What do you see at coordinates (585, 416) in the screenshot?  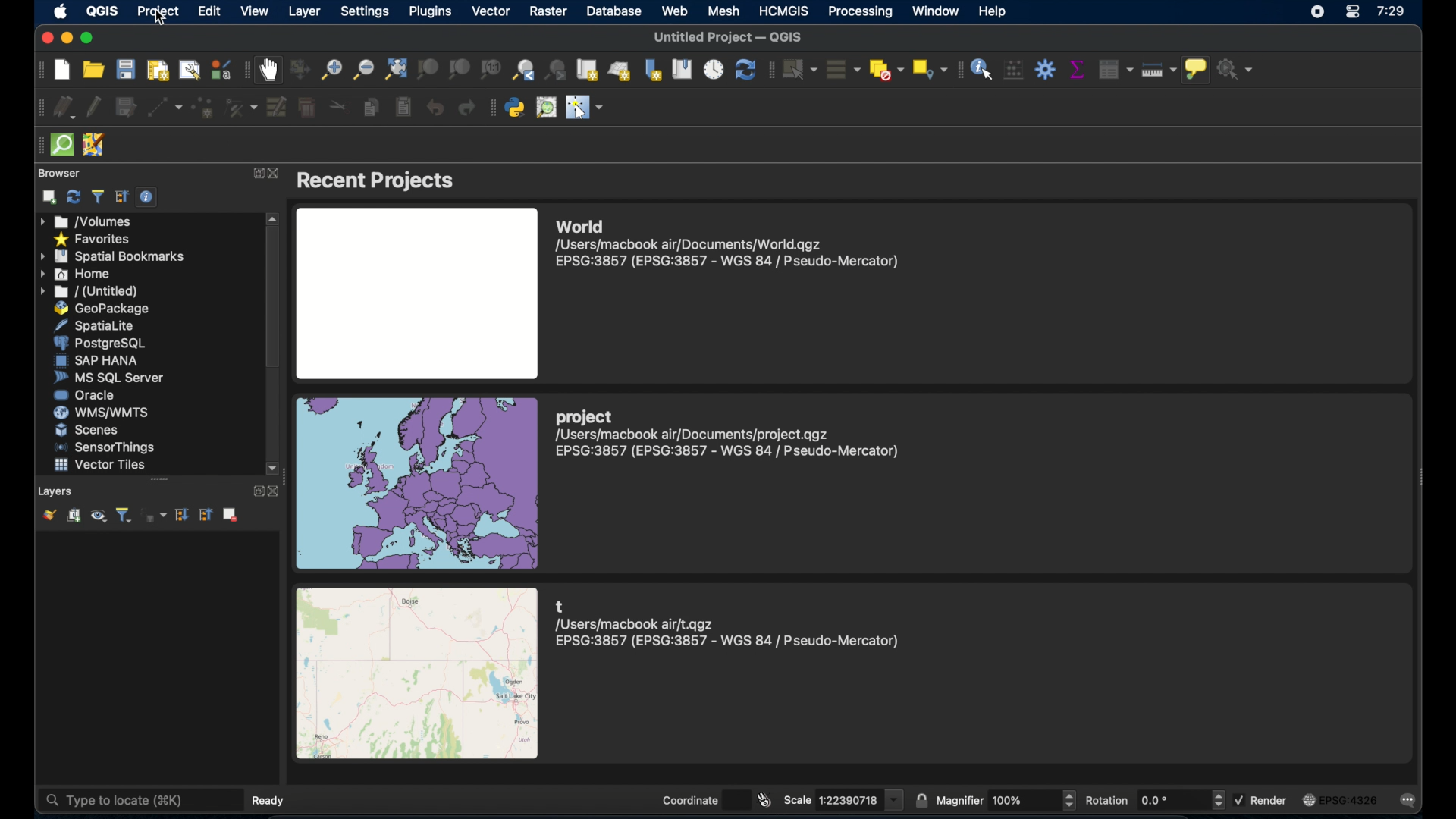 I see `project` at bounding box center [585, 416].